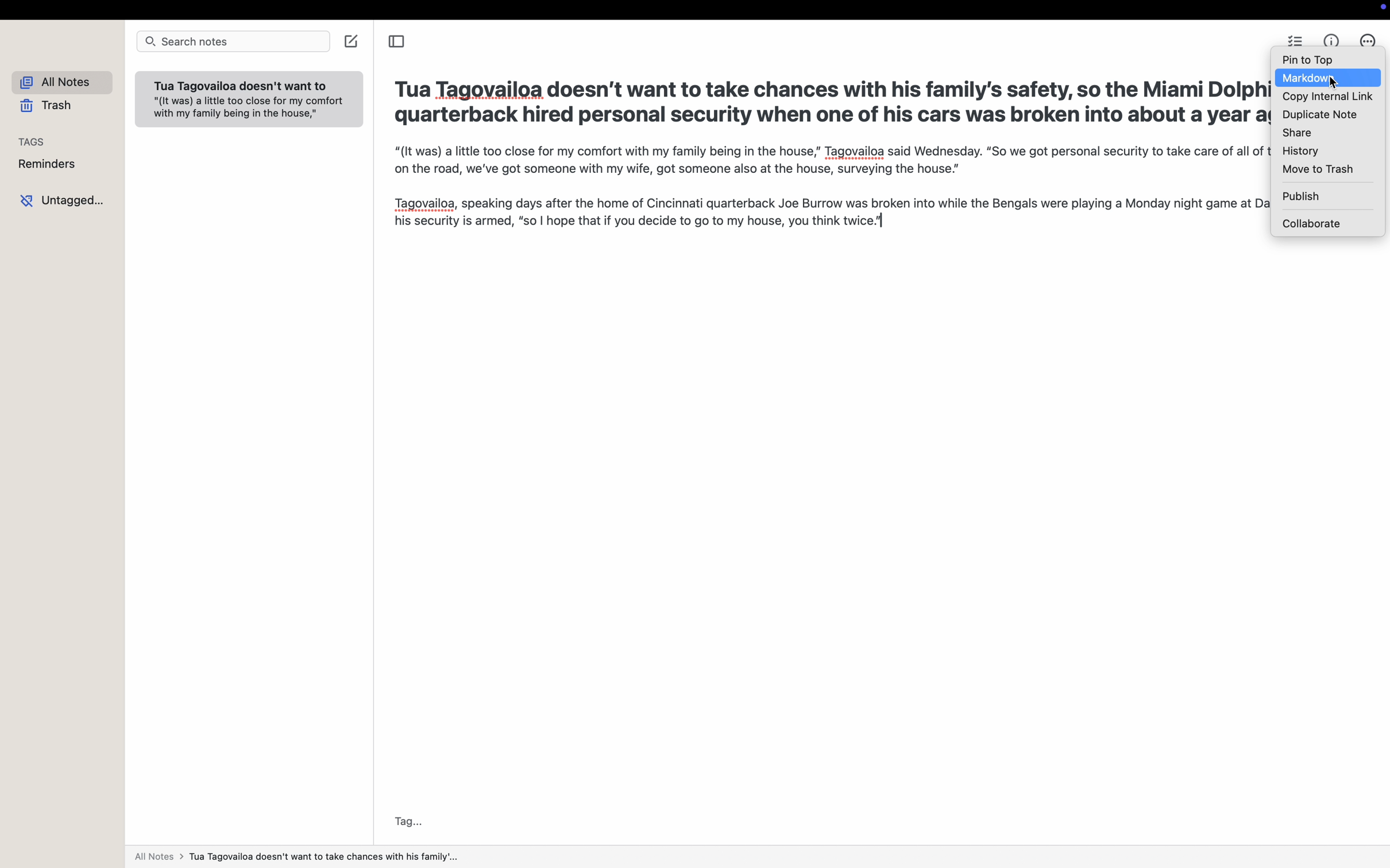 The image size is (1390, 868). What do you see at coordinates (300, 857) in the screenshot?
I see `all notes` at bounding box center [300, 857].